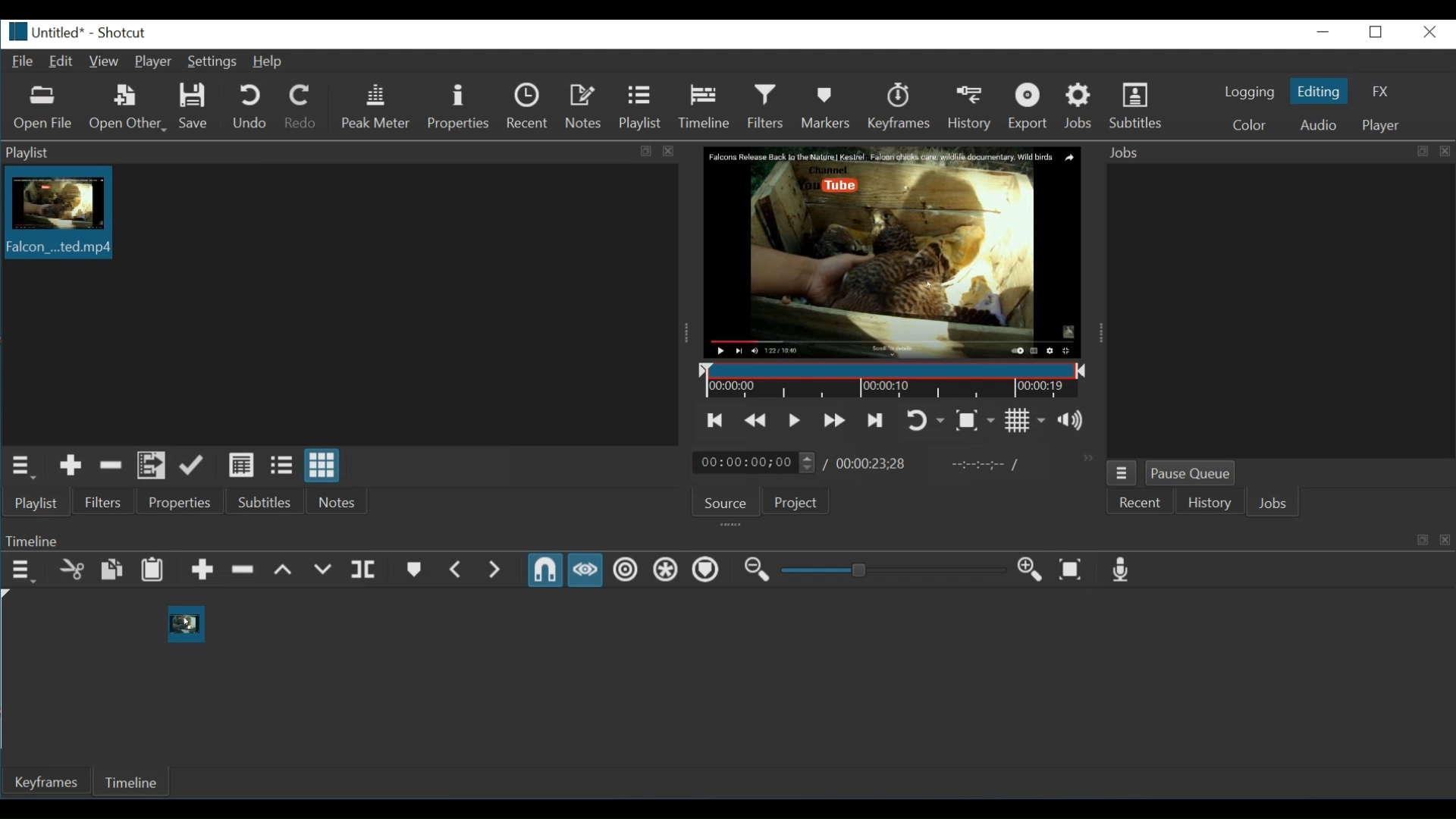 The width and height of the screenshot is (1456, 819). Describe the element at coordinates (1277, 152) in the screenshot. I see `Jobs Panel` at that location.